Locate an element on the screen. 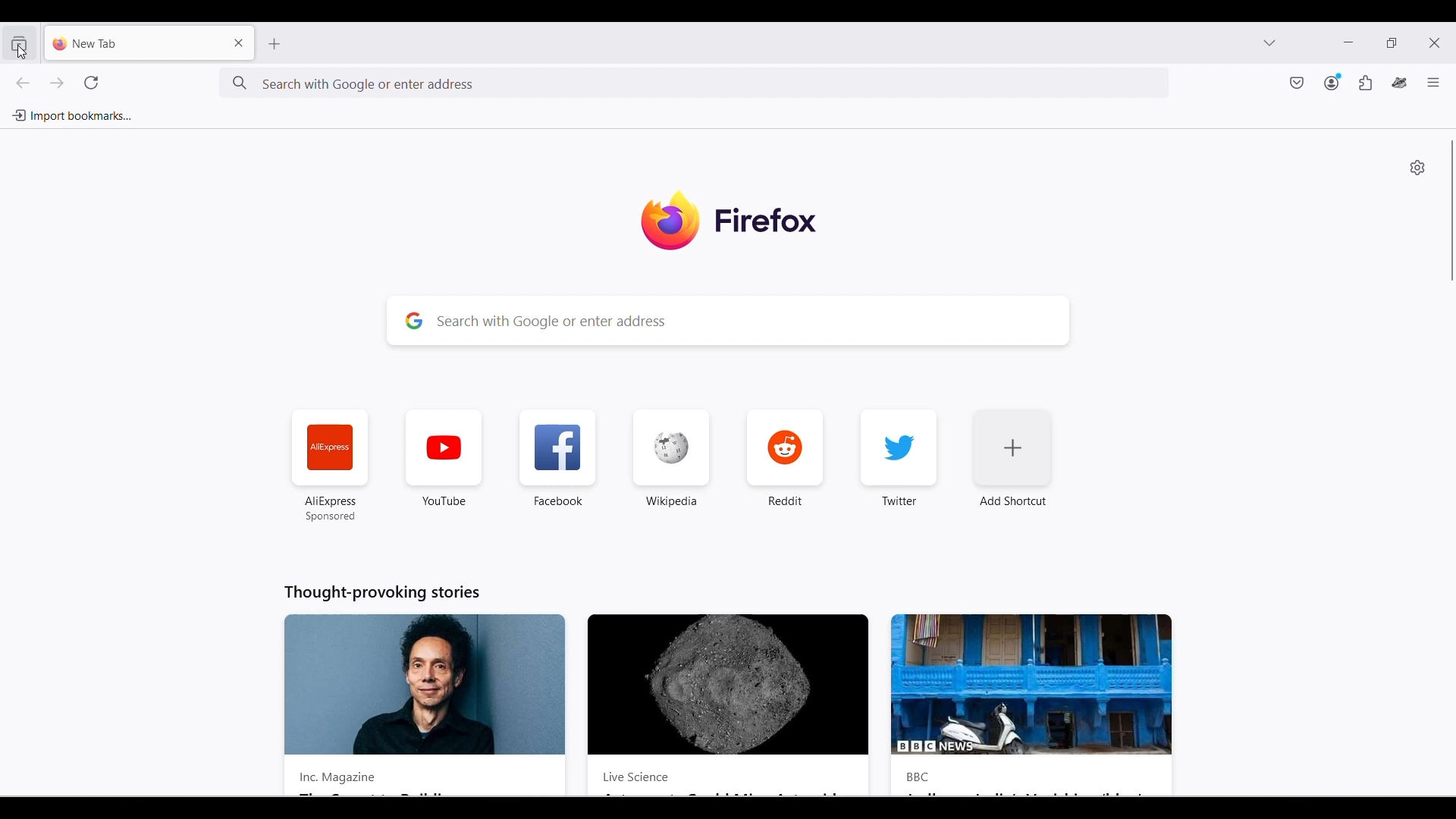 Image resolution: width=1456 pixels, height=819 pixels. Twitter shortcut is located at coordinates (899, 457).